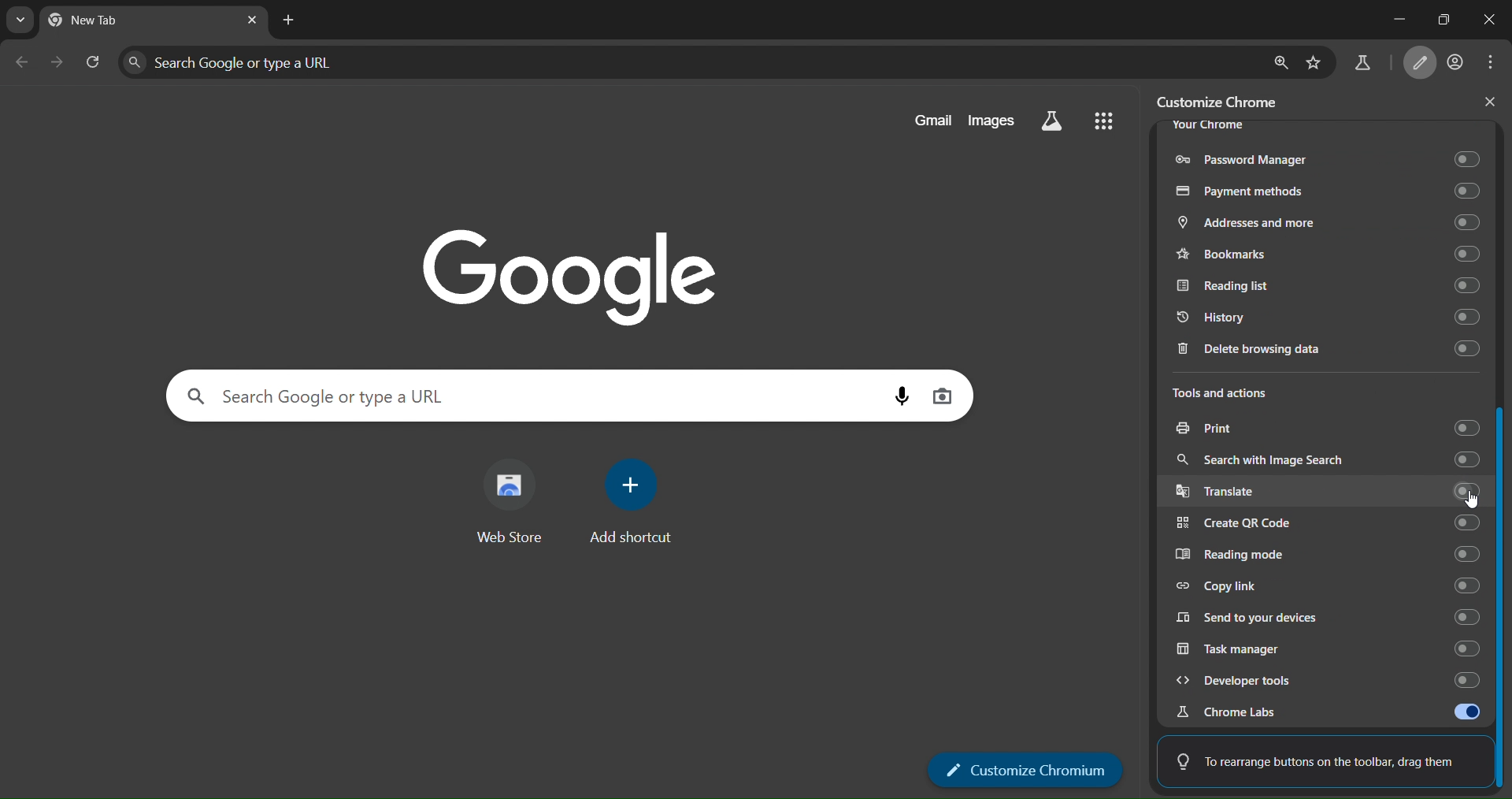  What do you see at coordinates (1324, 618) in the screenshot?
I see `send to yr devices` at bounding box center [1324, 618].